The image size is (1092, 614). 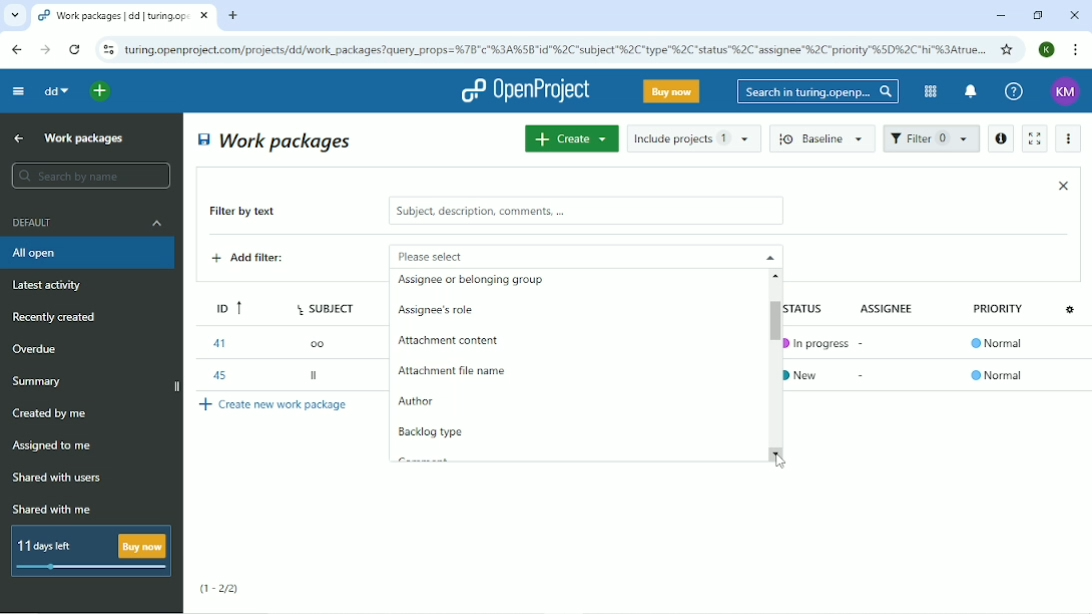 I want to click on OpenProject, so click(x=525, y=91).